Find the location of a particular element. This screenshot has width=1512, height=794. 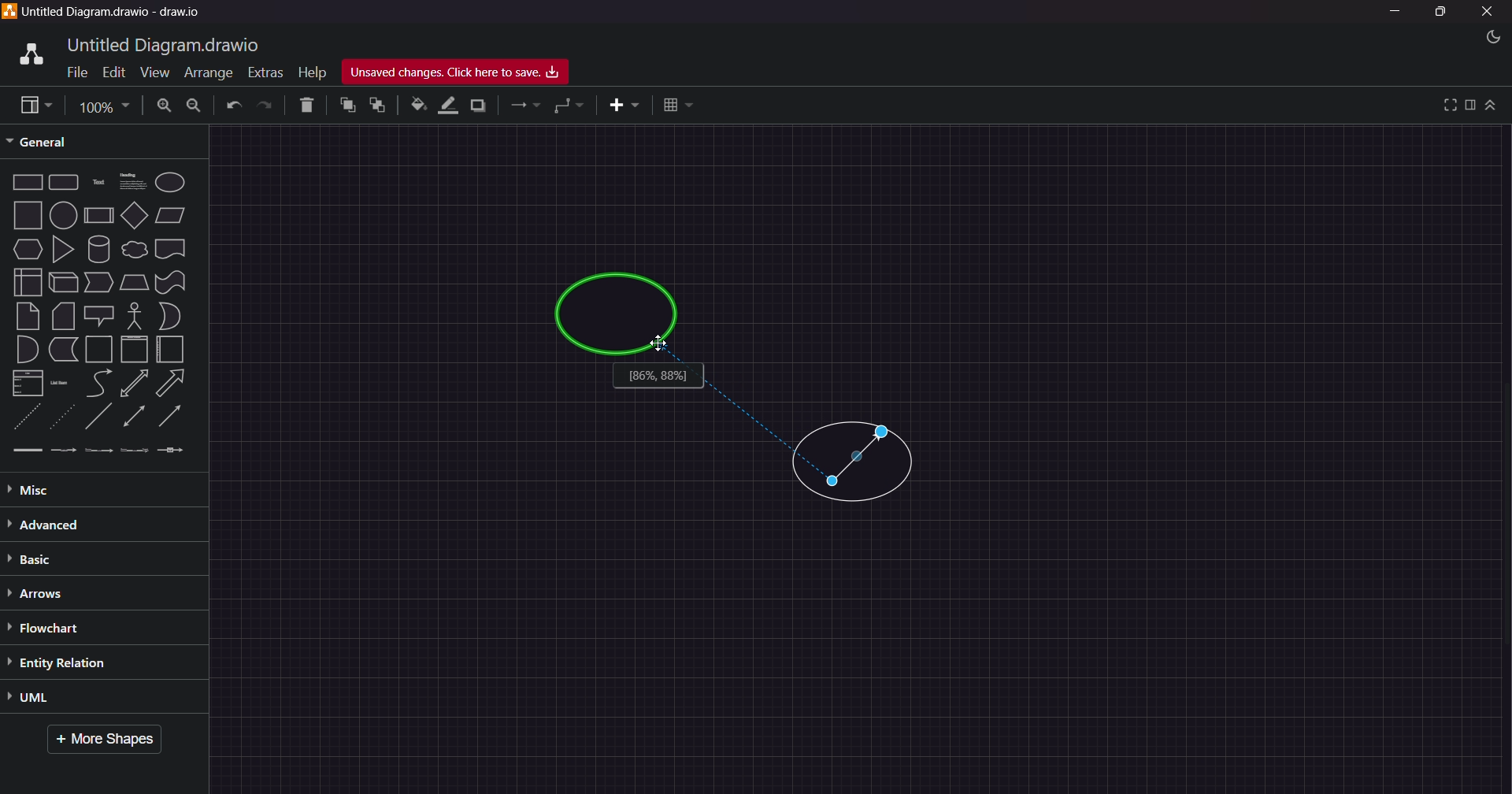

More Shapes is located at coordinates (110, 740).